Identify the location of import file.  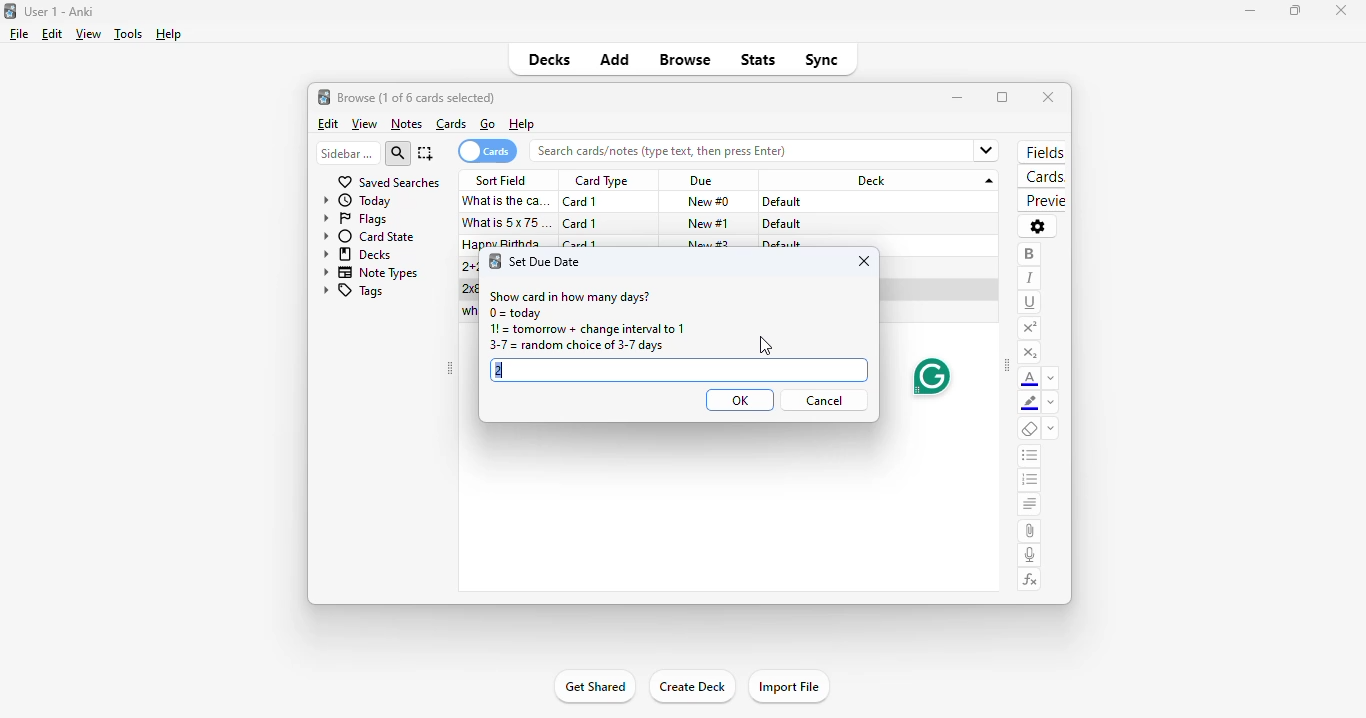
(789, 686).